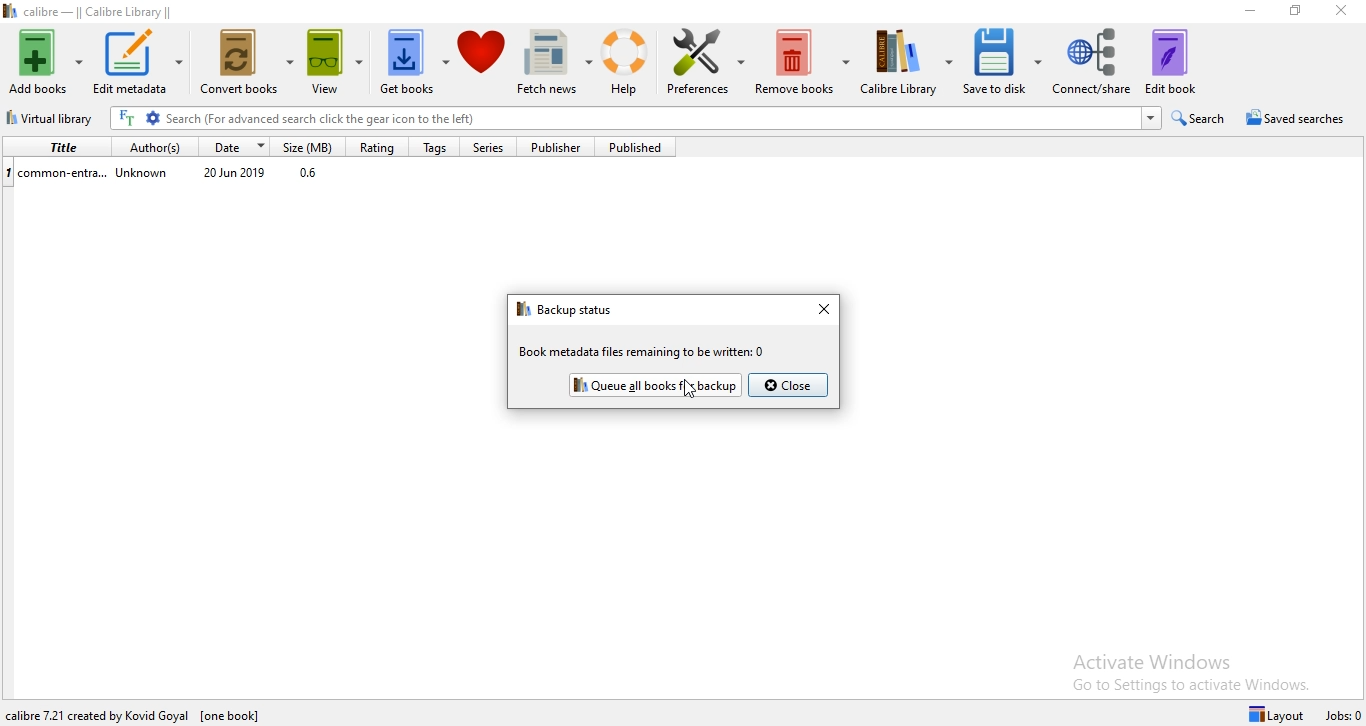 This screenshot has height=726, width=1366. Describe the element at coordinates (630, 63) in the screenshot. I see `Help` at that location.